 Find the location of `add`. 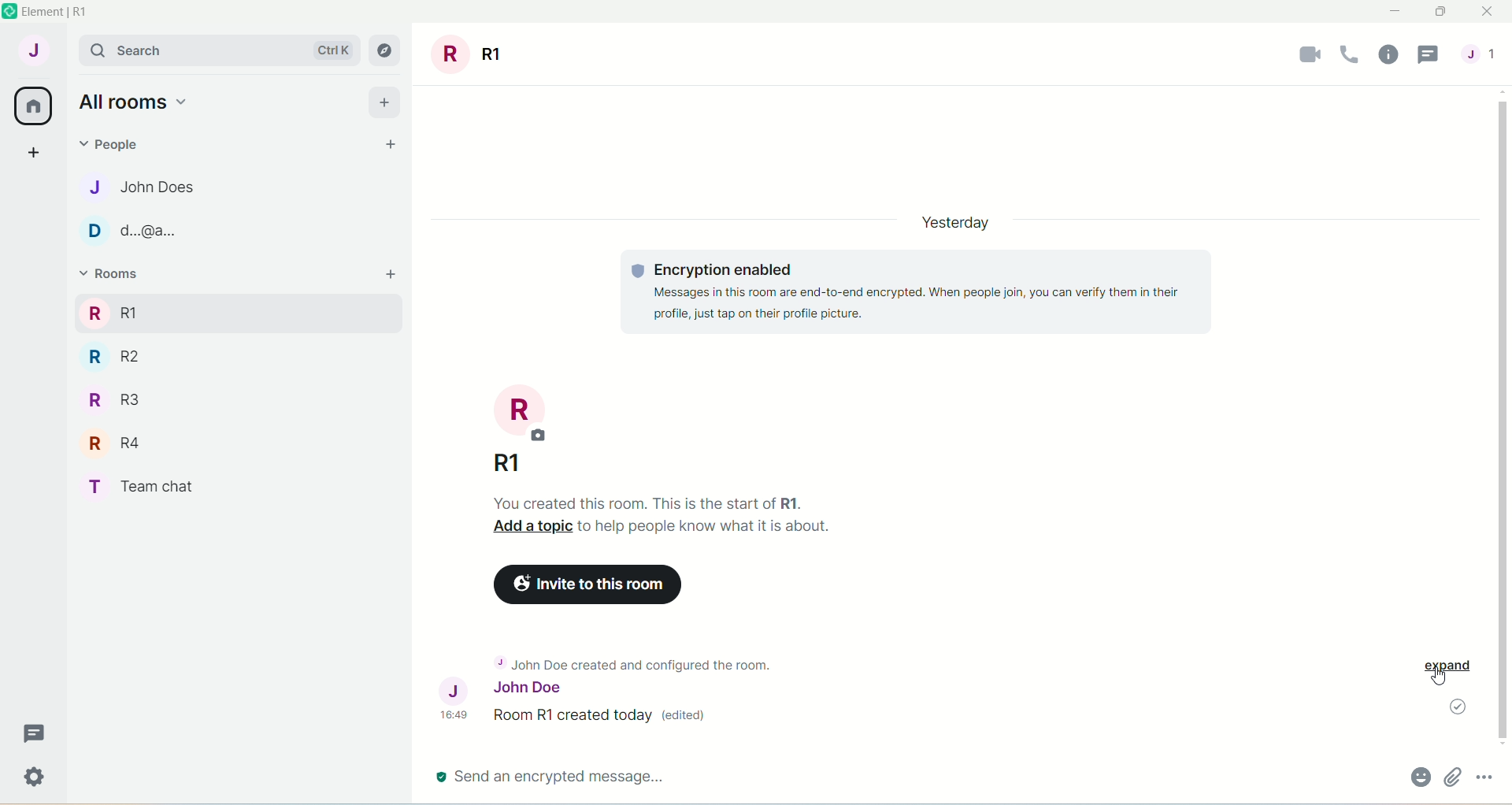

add is located at coordinates (387, 101).